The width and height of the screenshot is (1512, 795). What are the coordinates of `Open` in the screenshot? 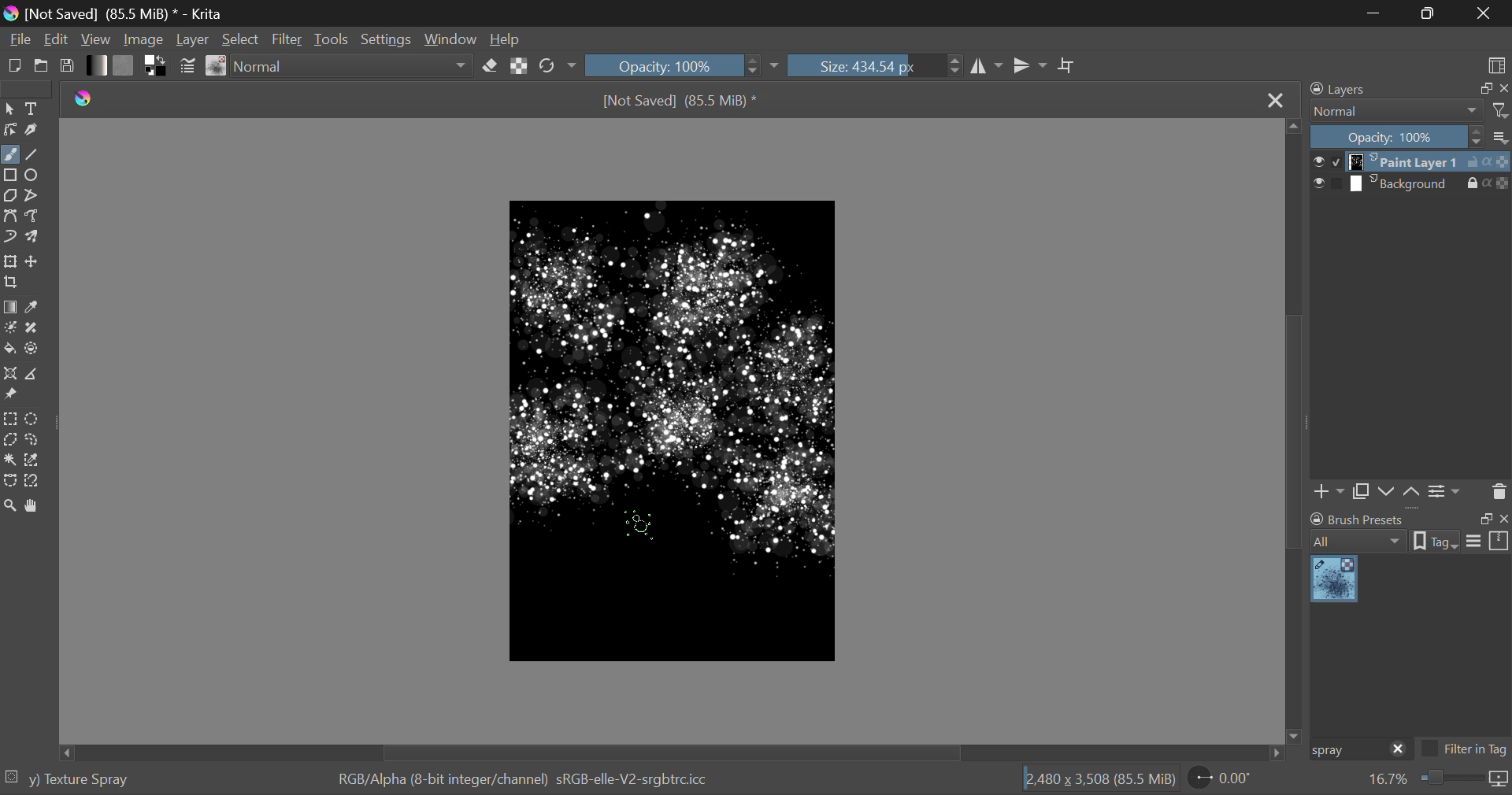 It's located at (42, 65).